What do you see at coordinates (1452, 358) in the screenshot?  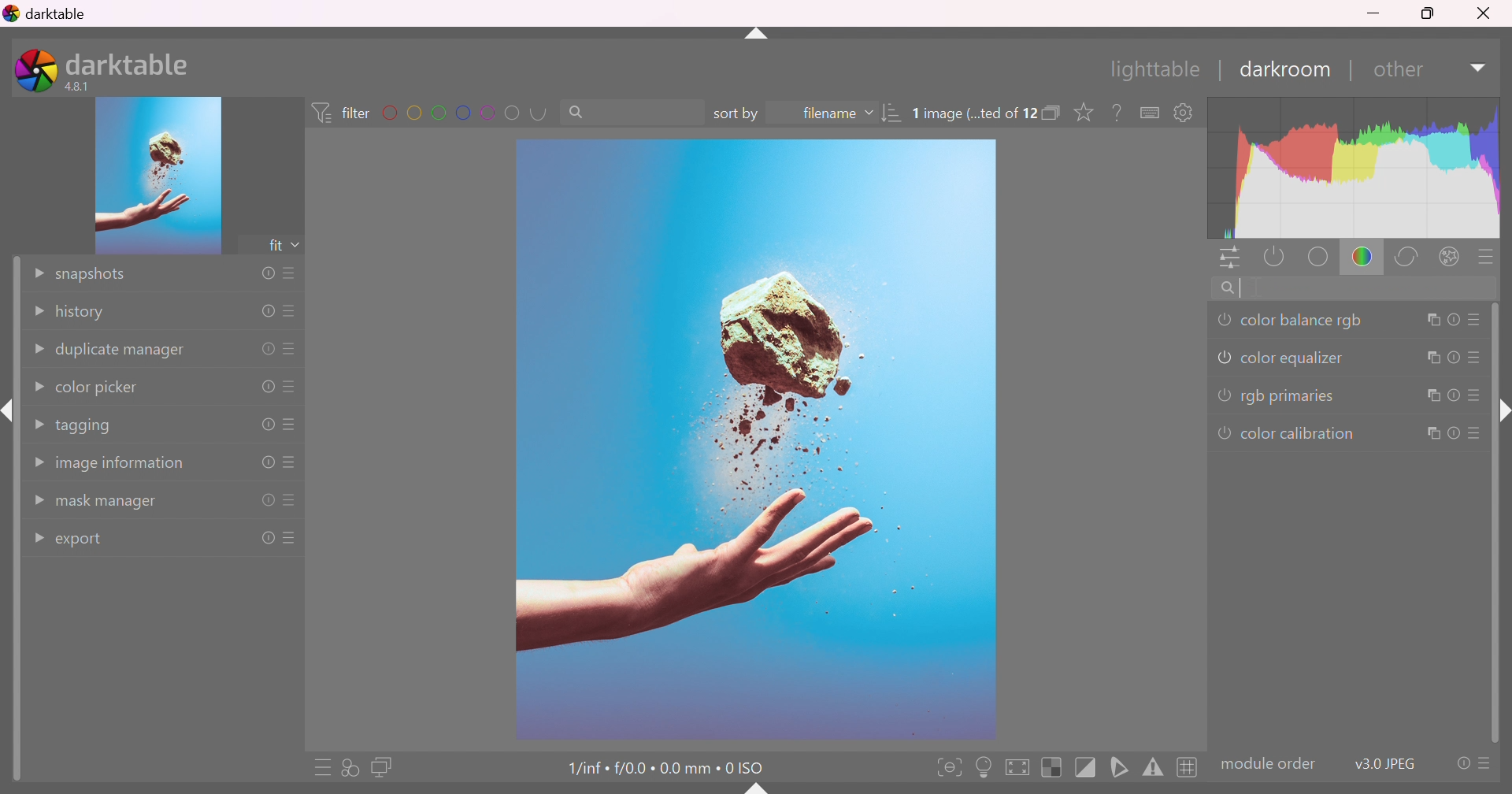 I see `reset` at bounding box center [1452, 358].